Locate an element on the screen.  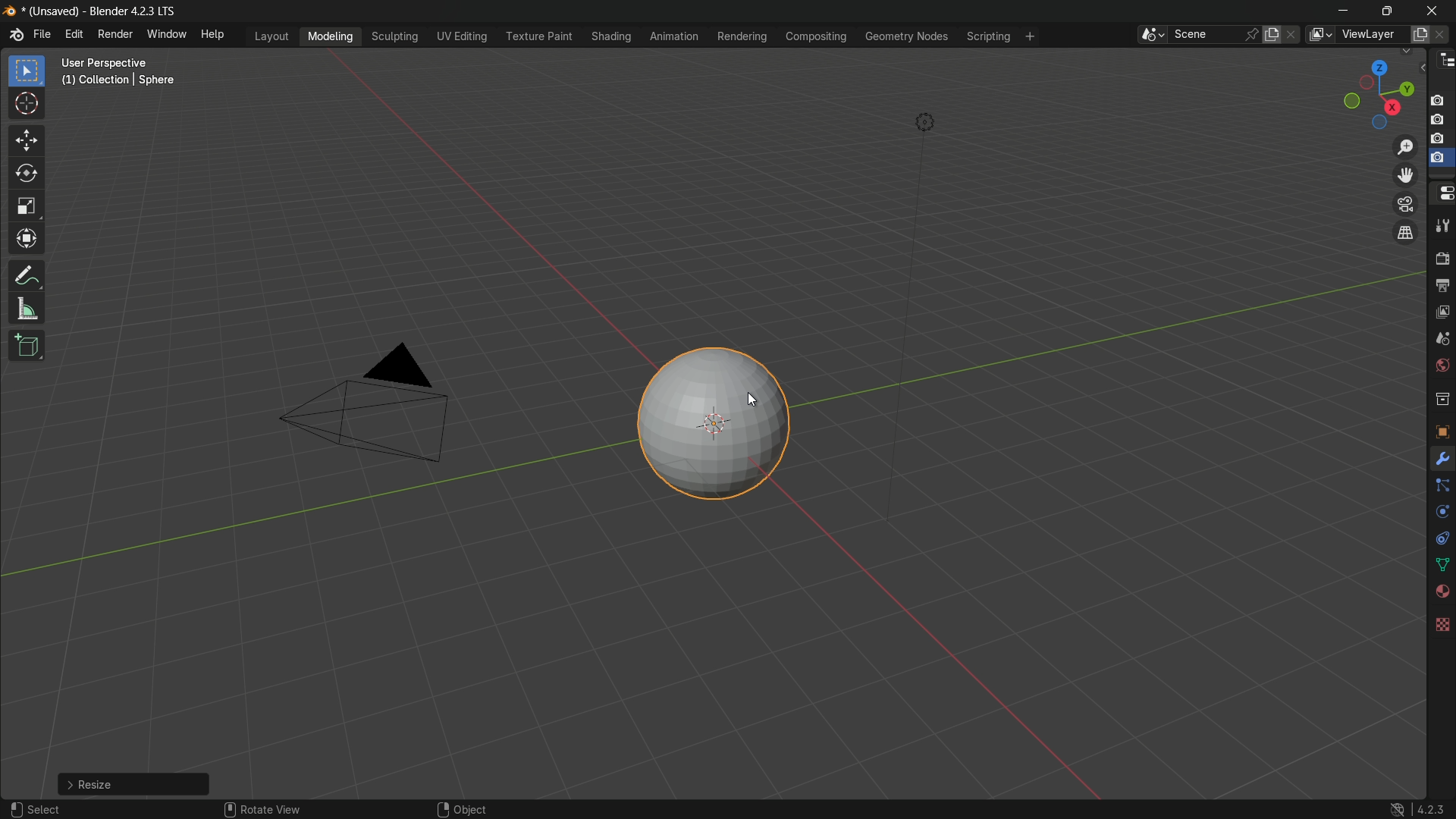
switch current view is located at coordinates (1408, 234).